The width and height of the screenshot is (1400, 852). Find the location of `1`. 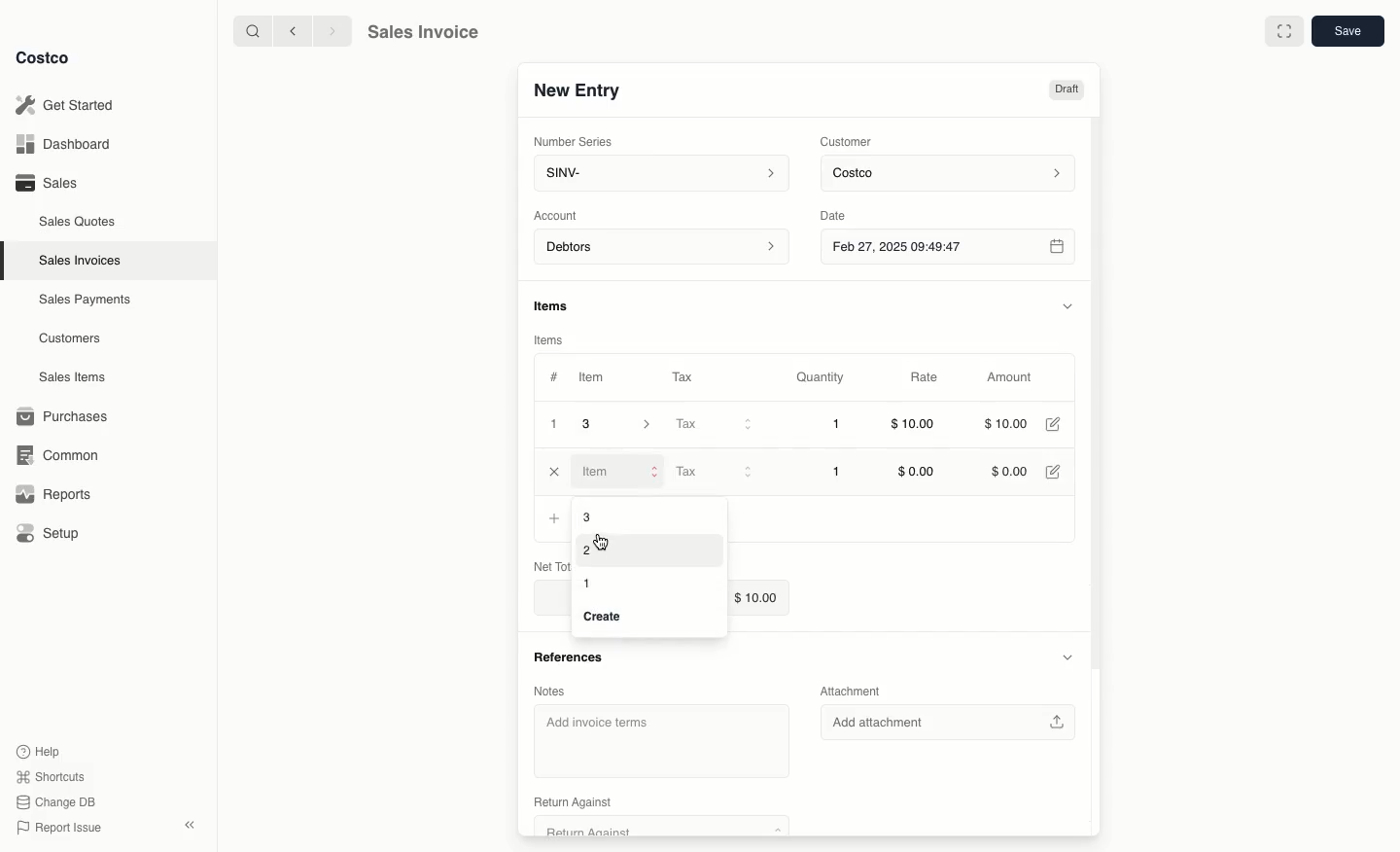

1 is located at coordinates (590, 584).